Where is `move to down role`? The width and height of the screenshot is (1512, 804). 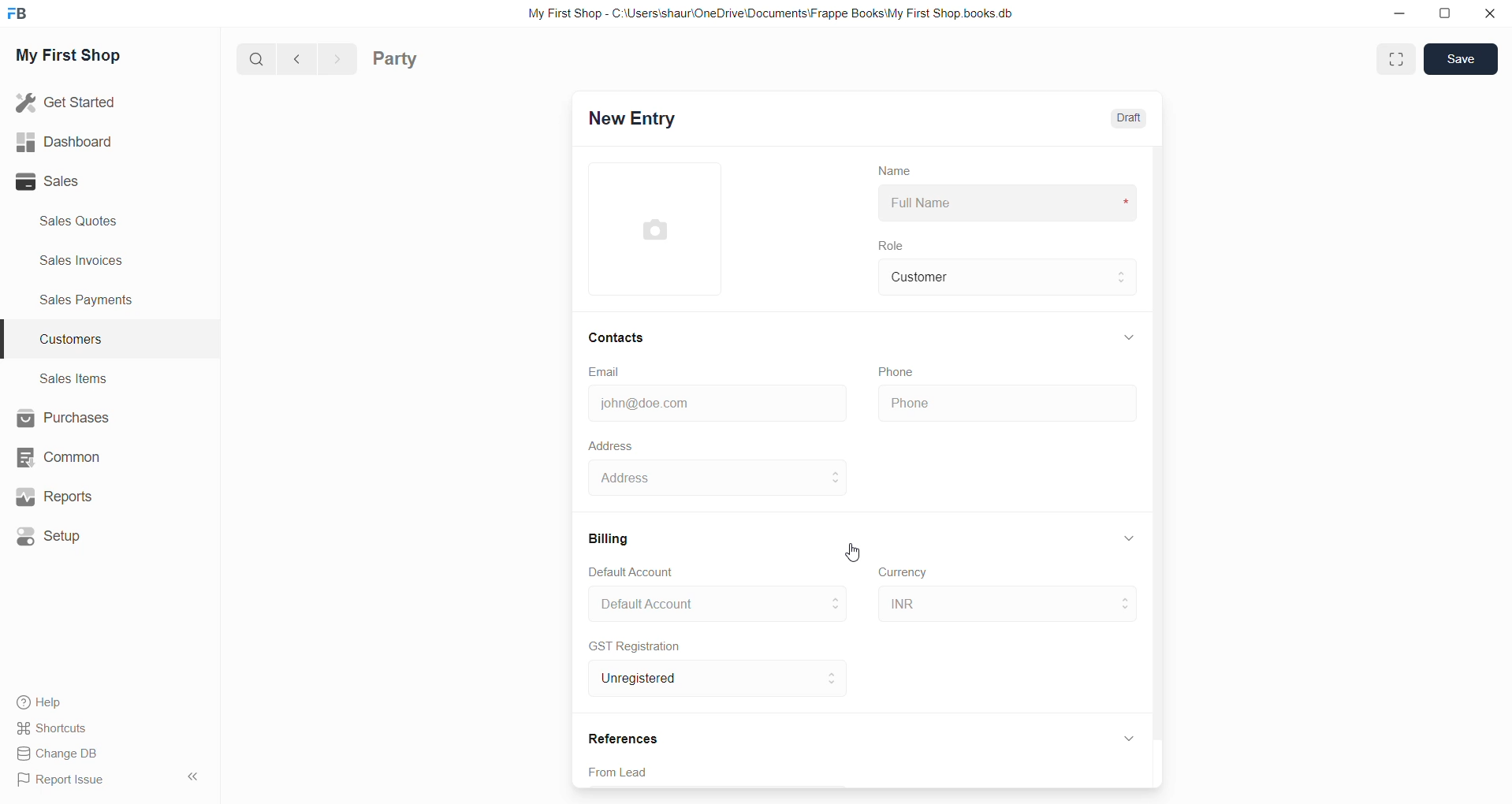
move to down role is located at coordinates (1124, 287).